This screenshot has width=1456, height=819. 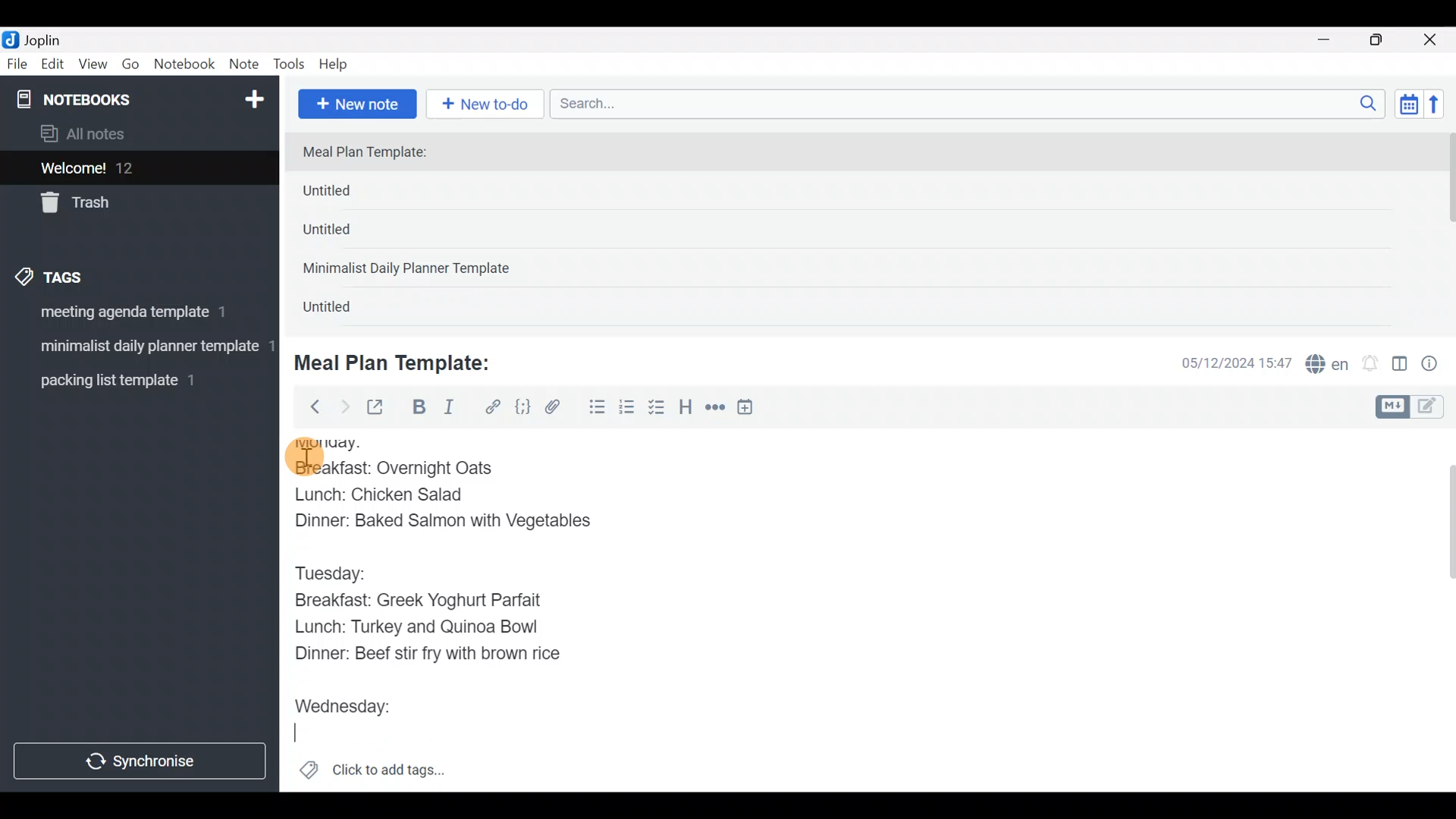 I want to click on Edit, so click(x=53, y=67).